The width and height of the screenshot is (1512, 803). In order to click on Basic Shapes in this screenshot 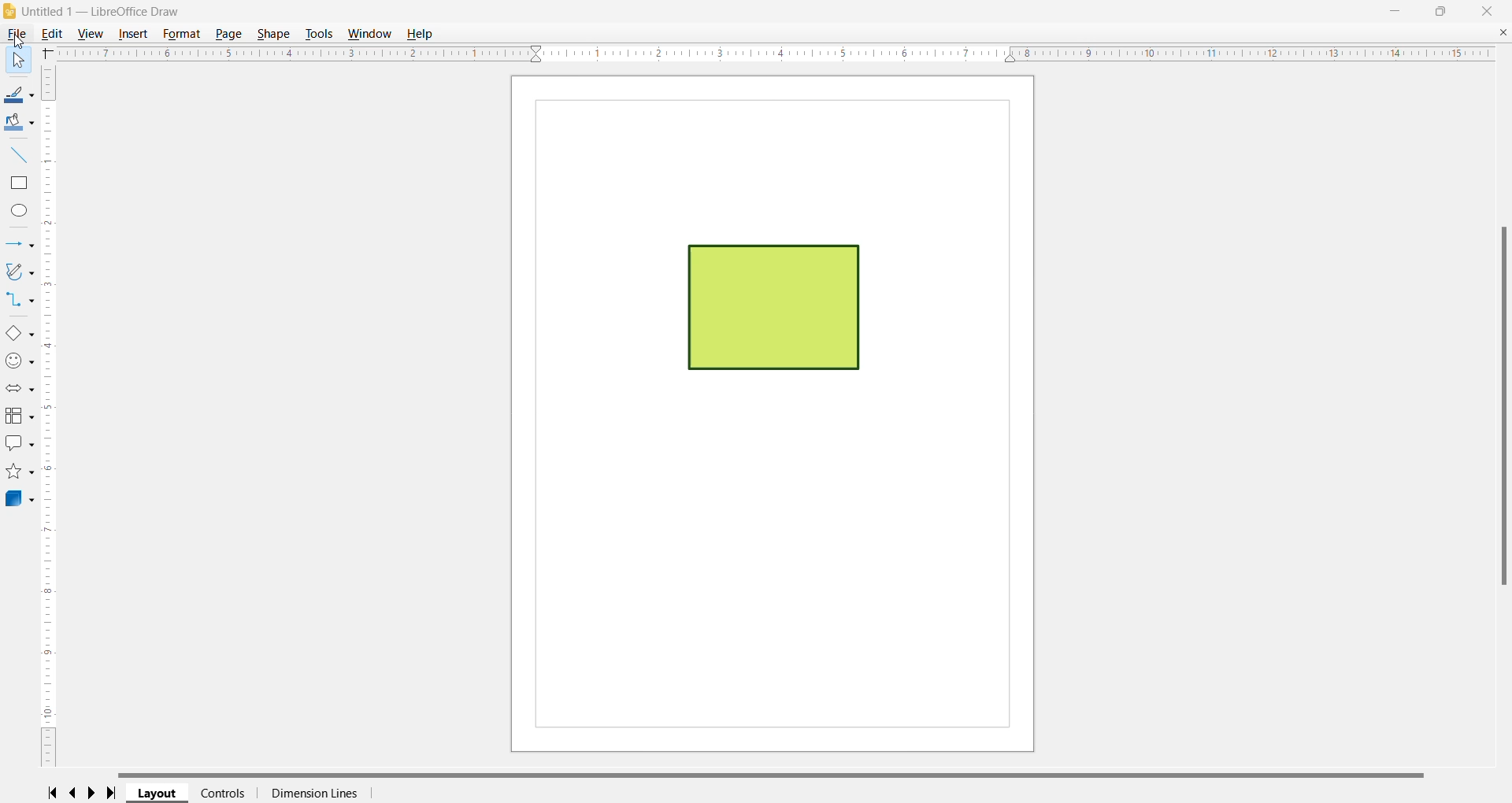, I will do `click(19, 333)`.